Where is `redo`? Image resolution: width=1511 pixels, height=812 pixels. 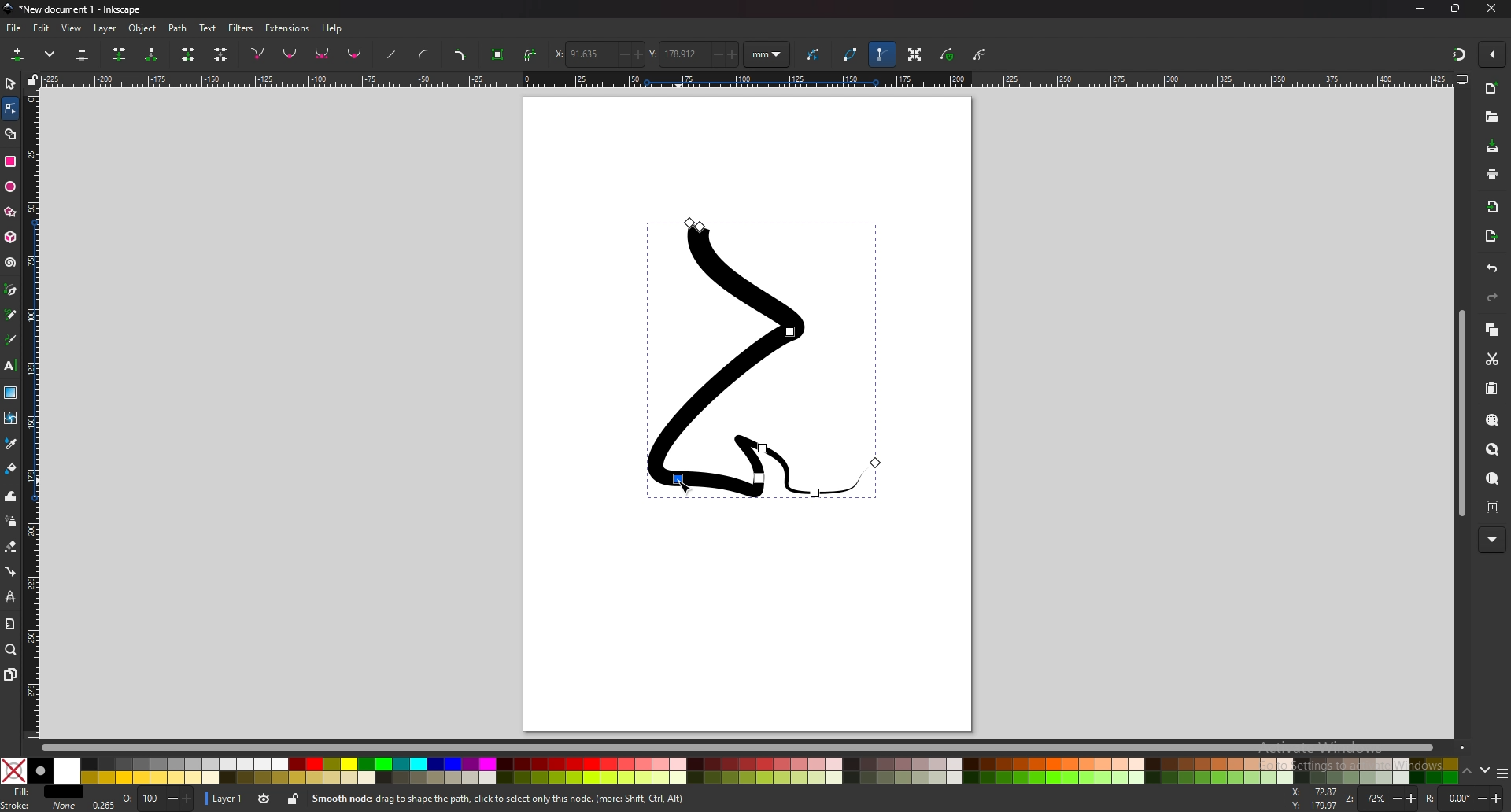
redo is located at coordinates (1492, 297).